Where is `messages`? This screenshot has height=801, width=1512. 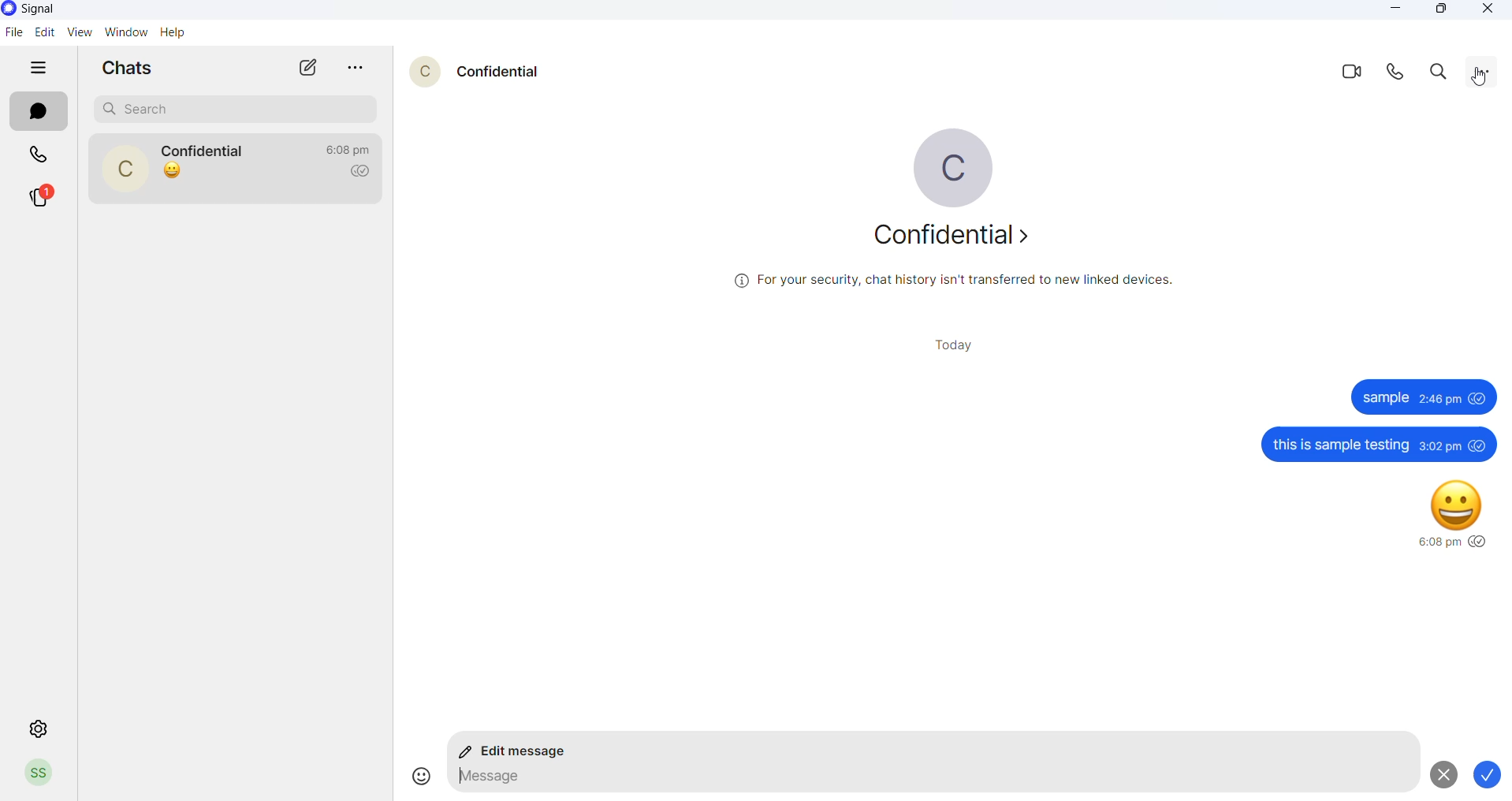
messages is located at coordinates (40, 114).